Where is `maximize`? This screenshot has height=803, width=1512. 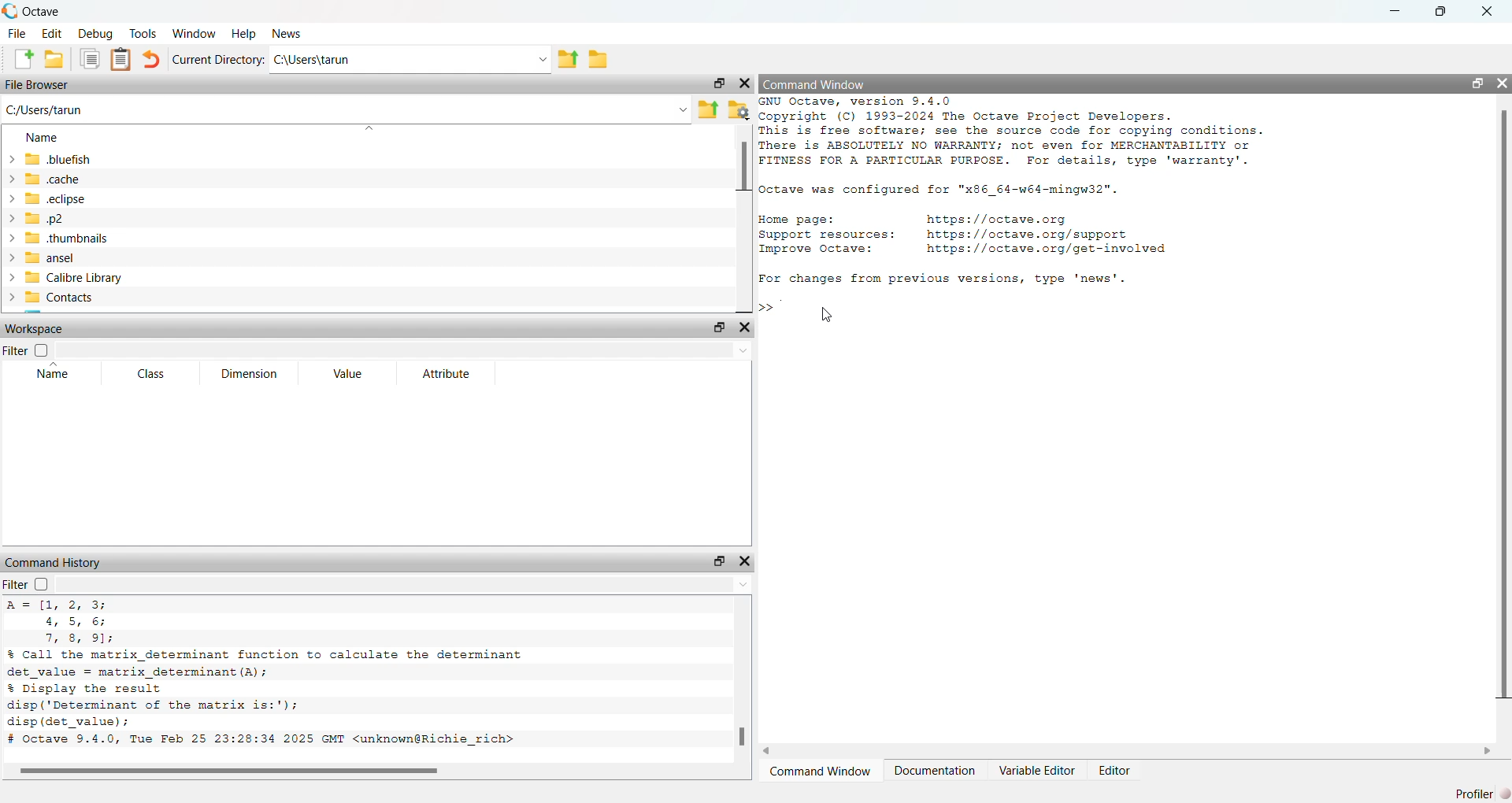 maximize is located at coordinates (1477, 83).